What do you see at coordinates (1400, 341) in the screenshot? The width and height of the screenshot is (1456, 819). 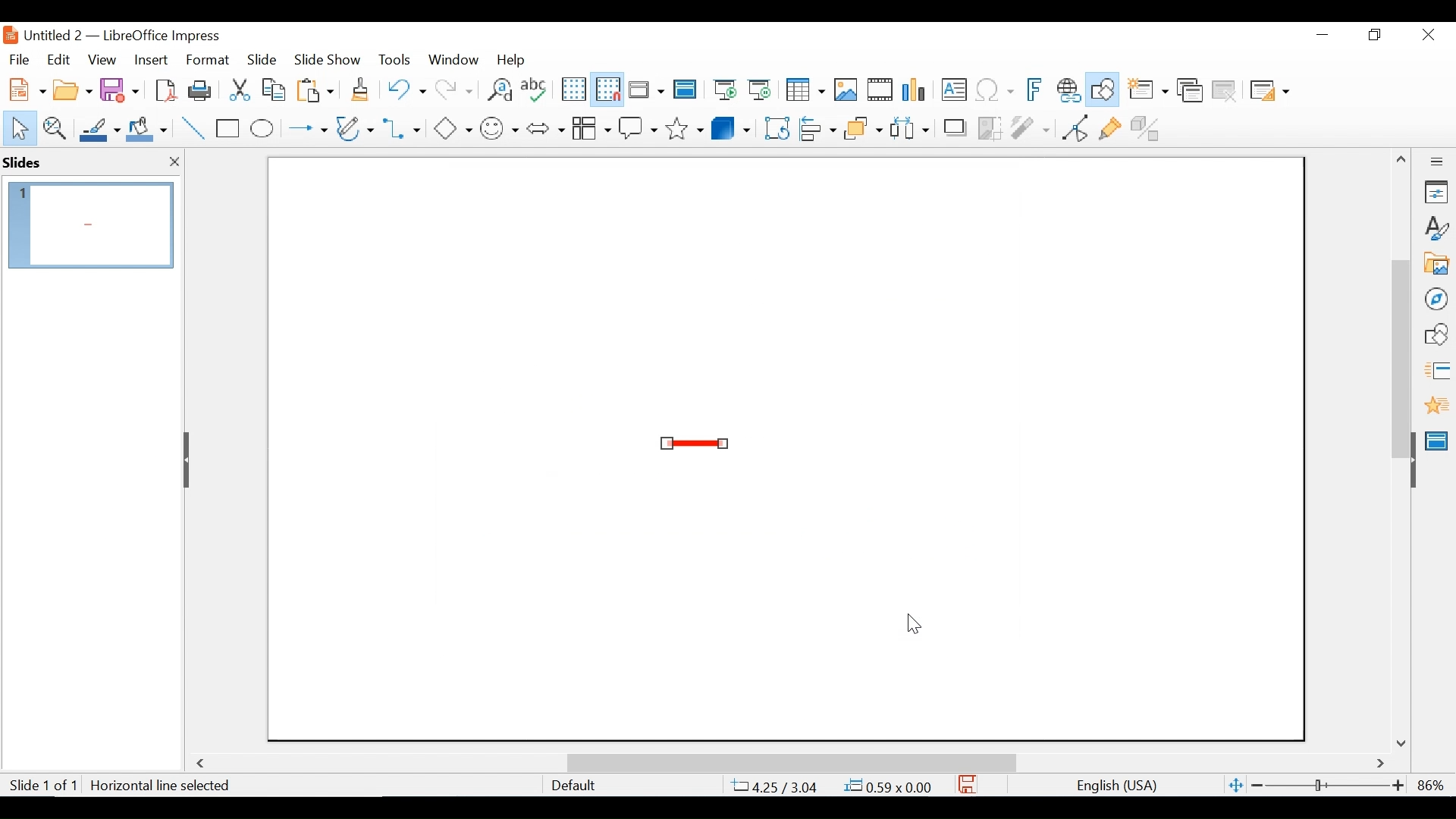 I see `Vertical Scrollbar` at bounding box center [1400, 341].